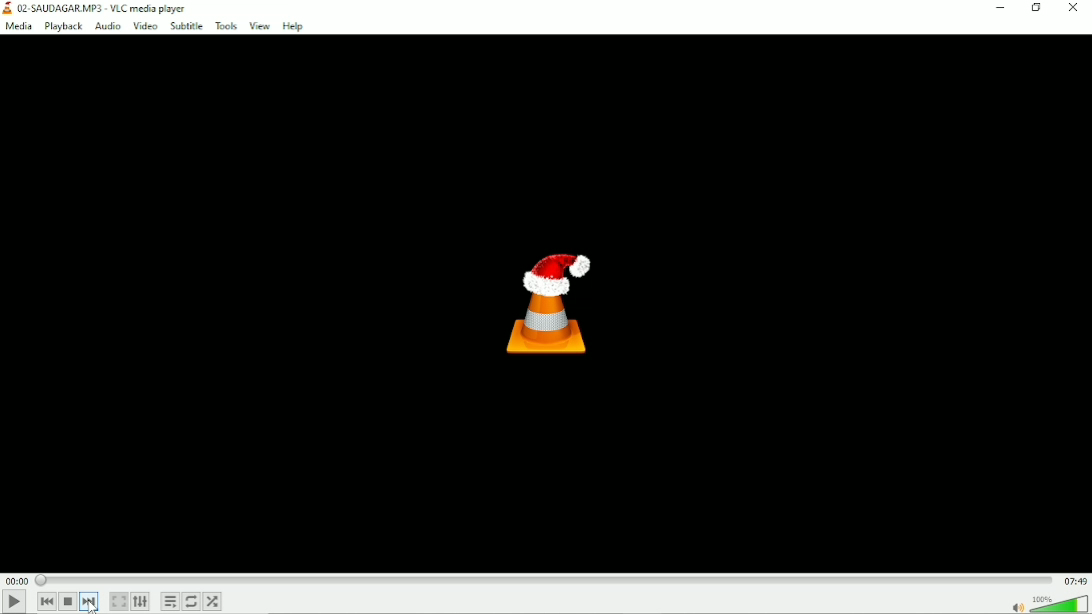 Image resolution: width=1092 pixels, height=614 pixels. What do you see at coordinates (45, 601) in the screenshot?
I see `Previous` at bounding box center [45, 601].